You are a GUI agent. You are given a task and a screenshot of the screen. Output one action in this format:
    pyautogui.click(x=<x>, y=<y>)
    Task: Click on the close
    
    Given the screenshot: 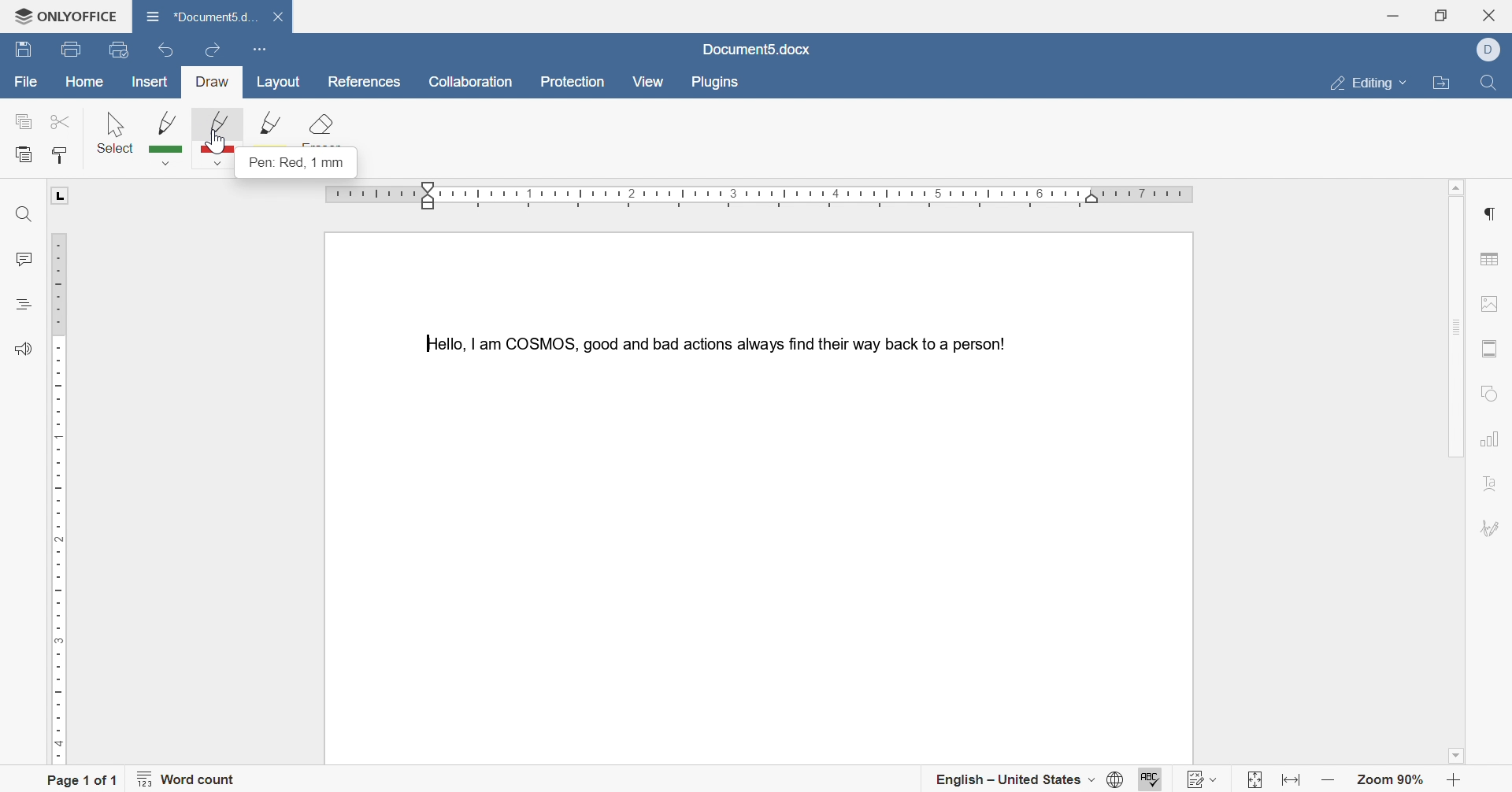 What is the action you would take?
    pyautogui.click(x=1495, y=13)
    